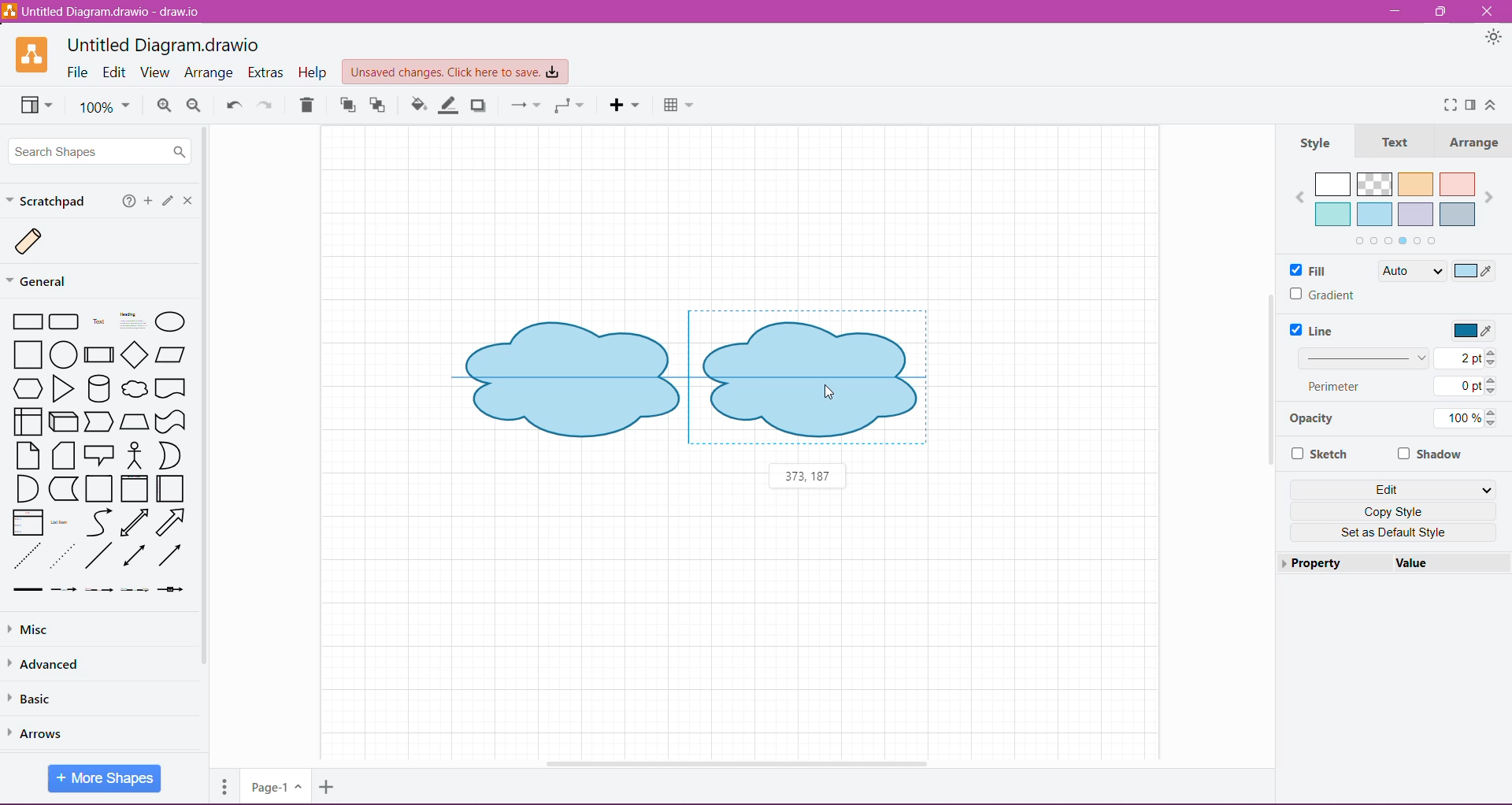 Image resolution: width=1512 pixels, height=805 pixels. What do you see at coordinates (104, 454) in the screenshot?
I see `Available Shapes` at bounding box center [104, 454].